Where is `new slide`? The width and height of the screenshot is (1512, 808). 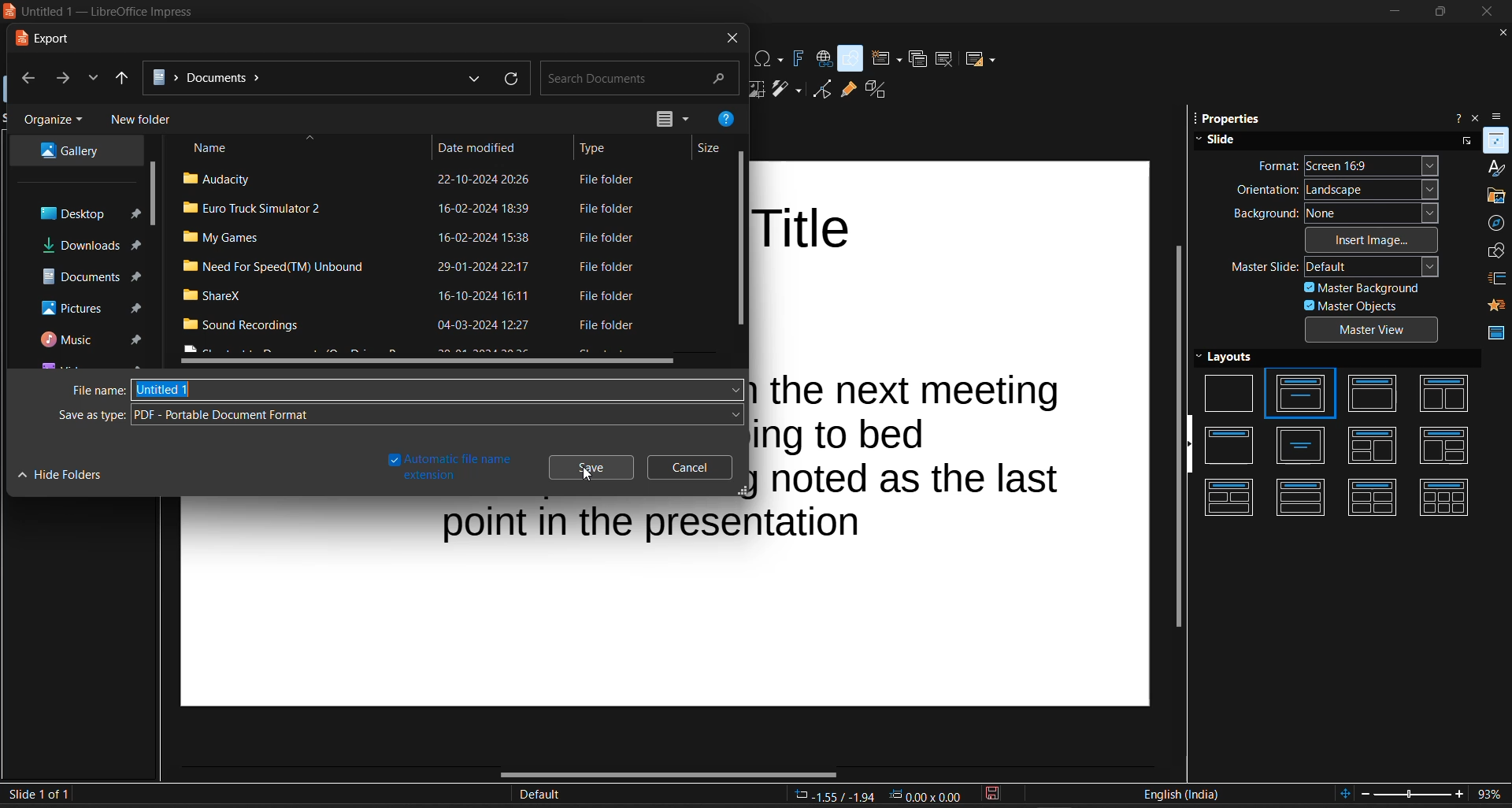
new slide is located at coordinates (885, 59).